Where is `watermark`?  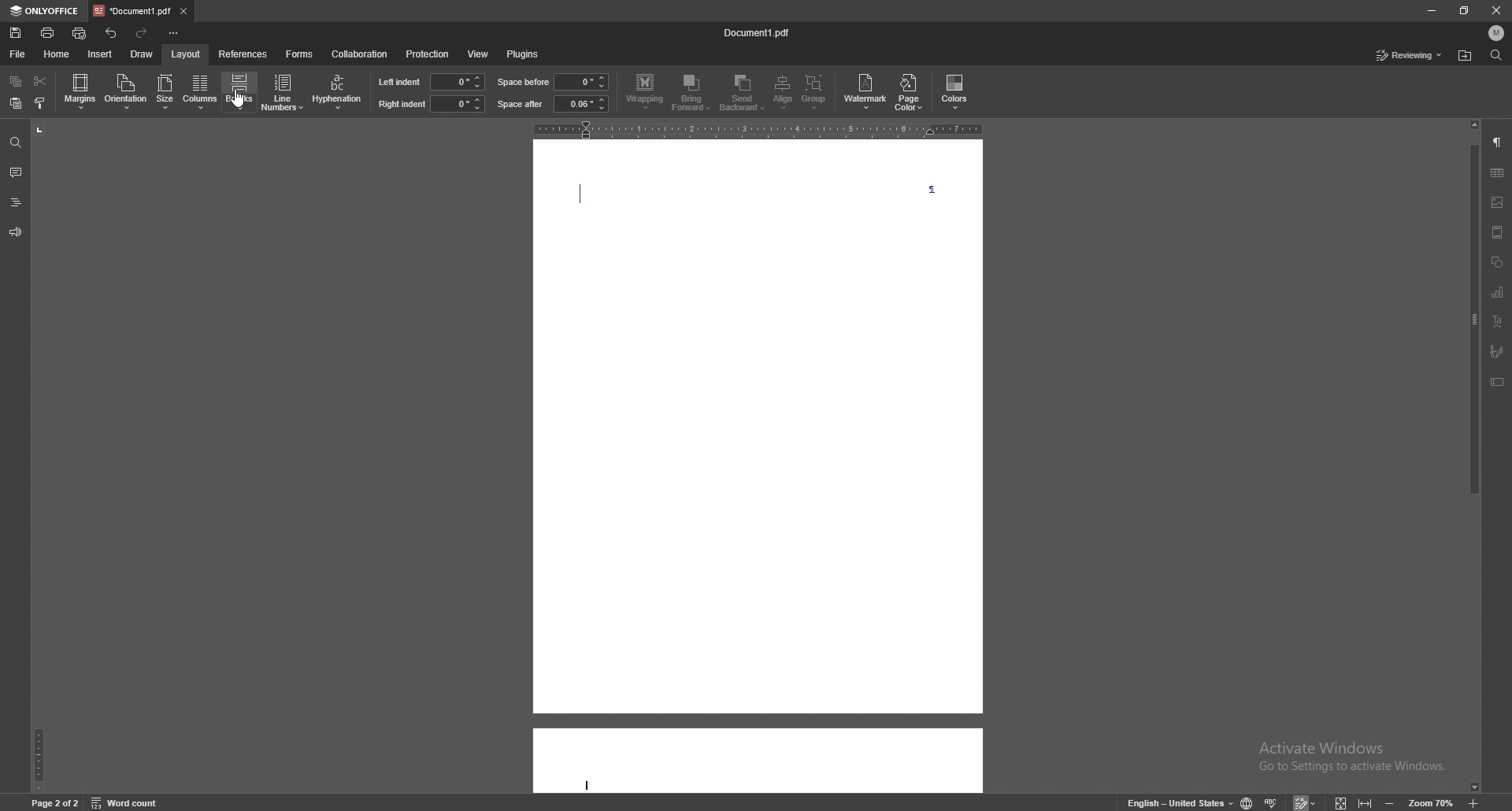
watermark is located at coordinates (865, 92).